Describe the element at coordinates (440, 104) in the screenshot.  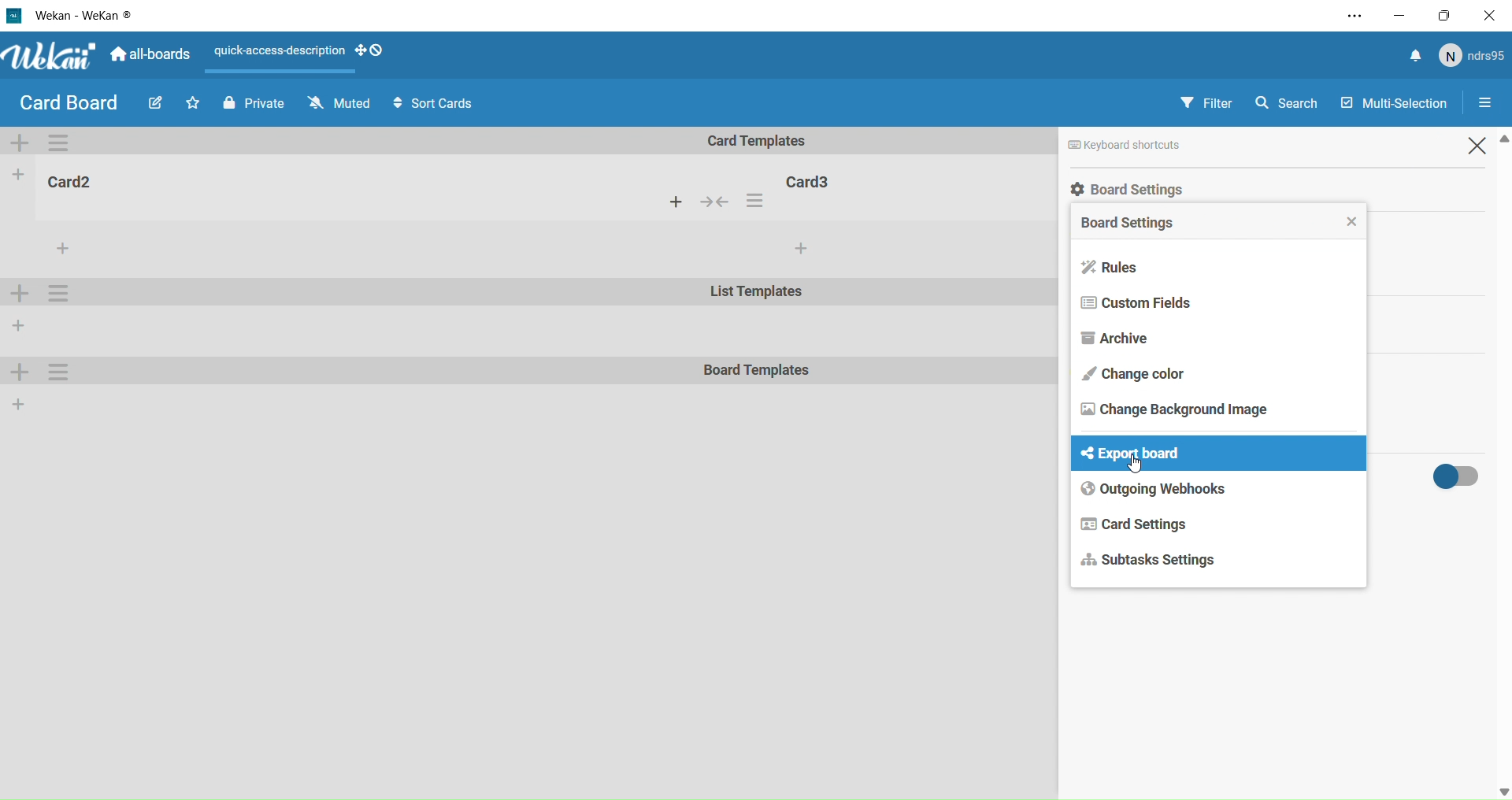
I see `Sort Cards` at that location.